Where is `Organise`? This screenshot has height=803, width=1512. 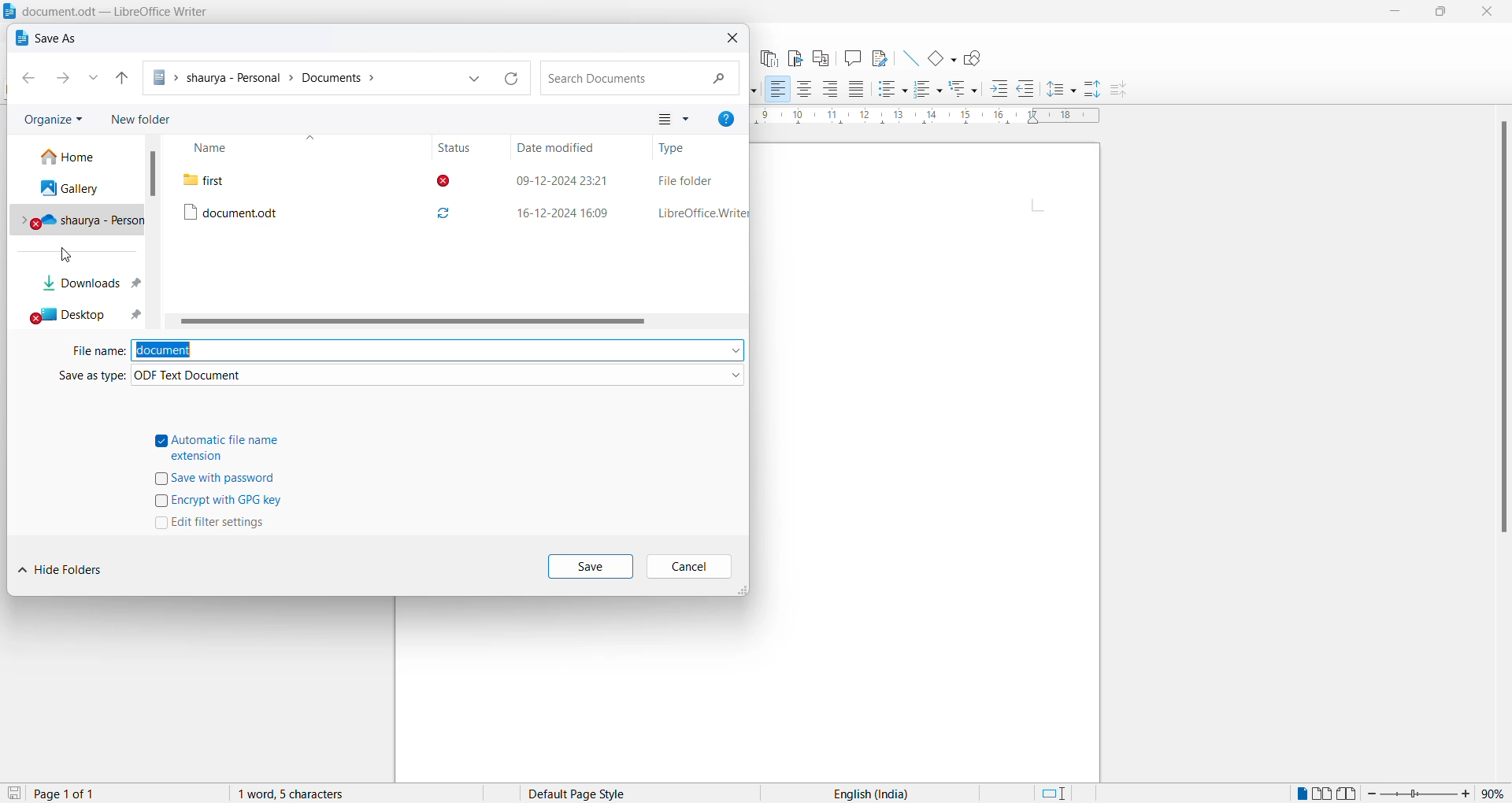 Organise is located at coordinates (51, 120).